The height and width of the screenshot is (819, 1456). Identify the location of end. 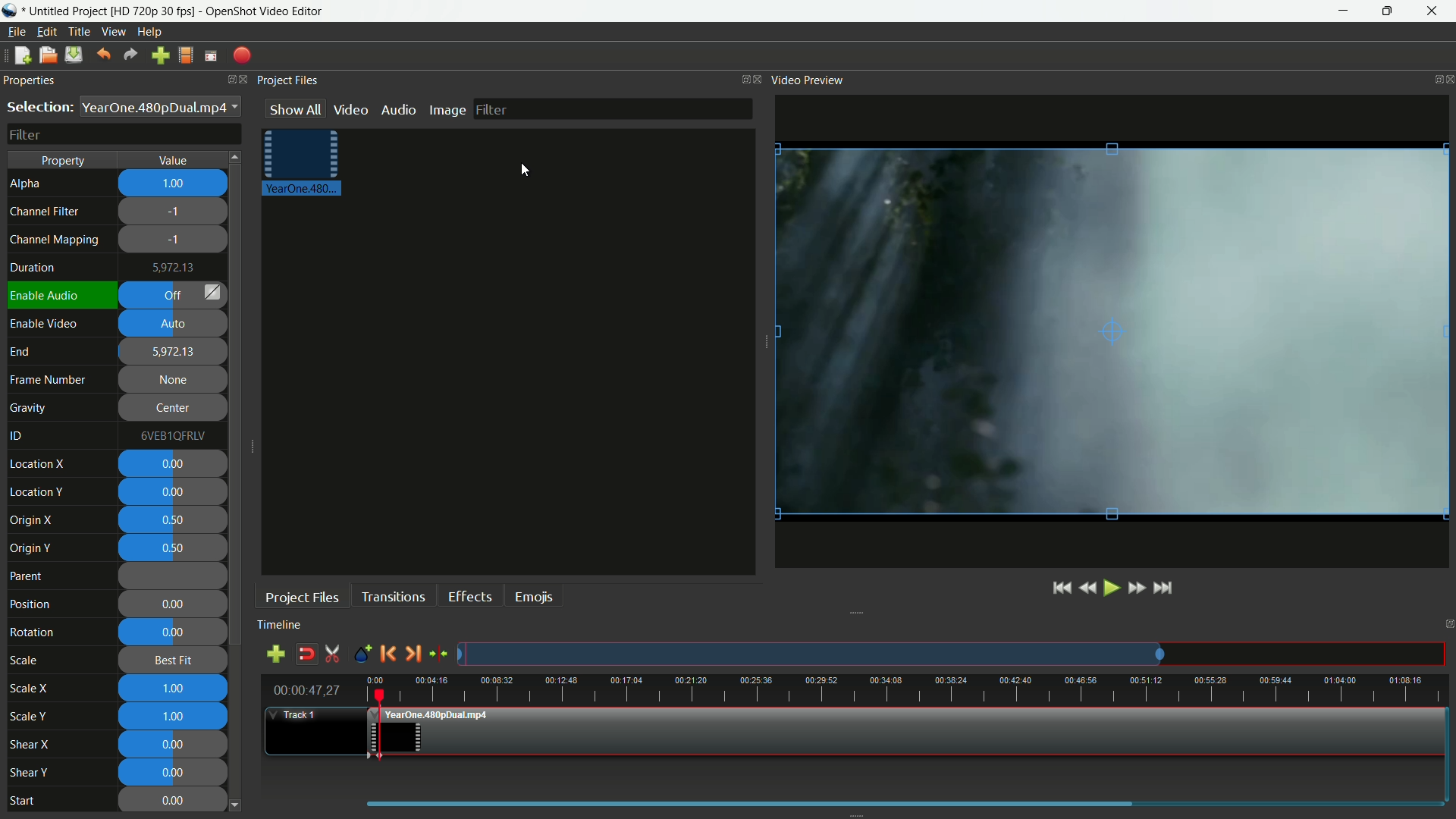
(20, 353).